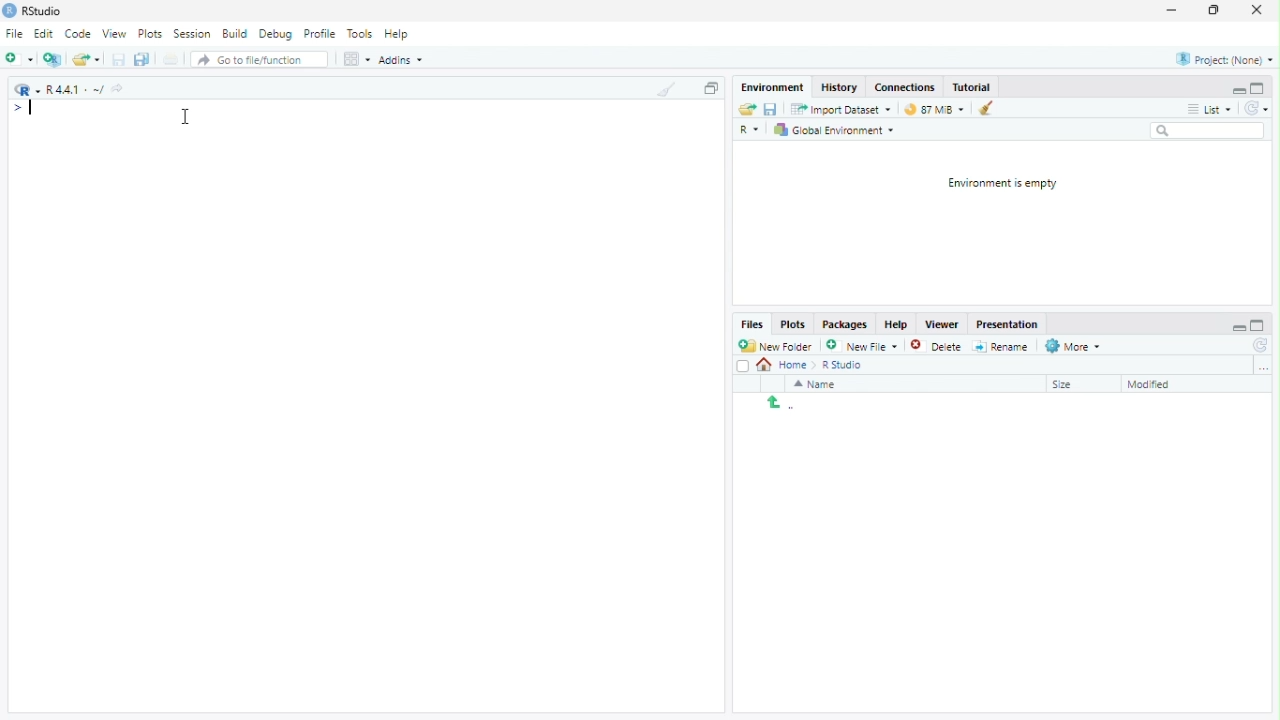 This screenshot has width=1280, height=720. What do you see at coordinates (781, 404) in the screenshot?
I see `Return` at bounding box center [781, 404].